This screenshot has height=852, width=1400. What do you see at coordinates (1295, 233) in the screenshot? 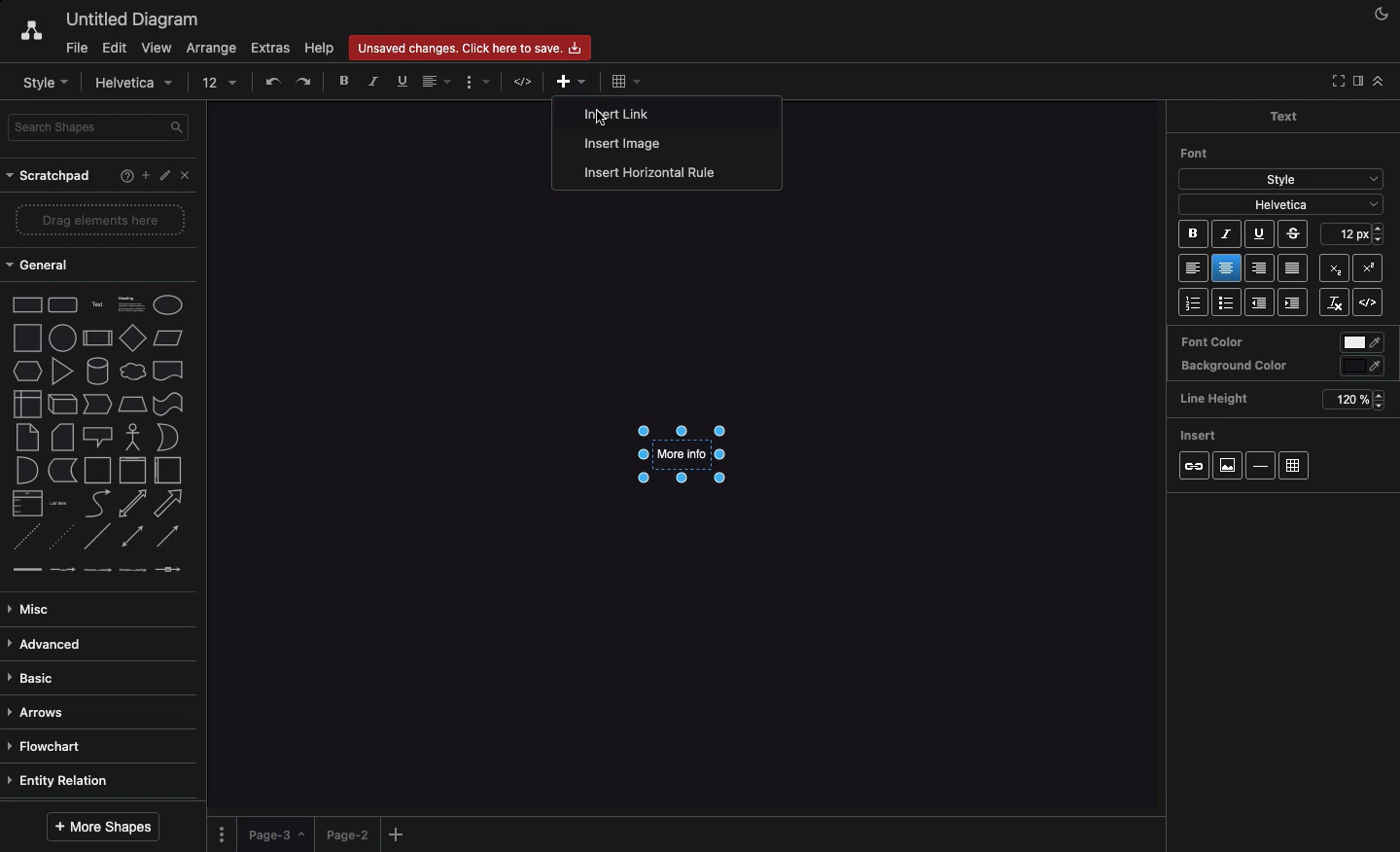
I see `Strikethrough` at bounding box center [1295, 233].